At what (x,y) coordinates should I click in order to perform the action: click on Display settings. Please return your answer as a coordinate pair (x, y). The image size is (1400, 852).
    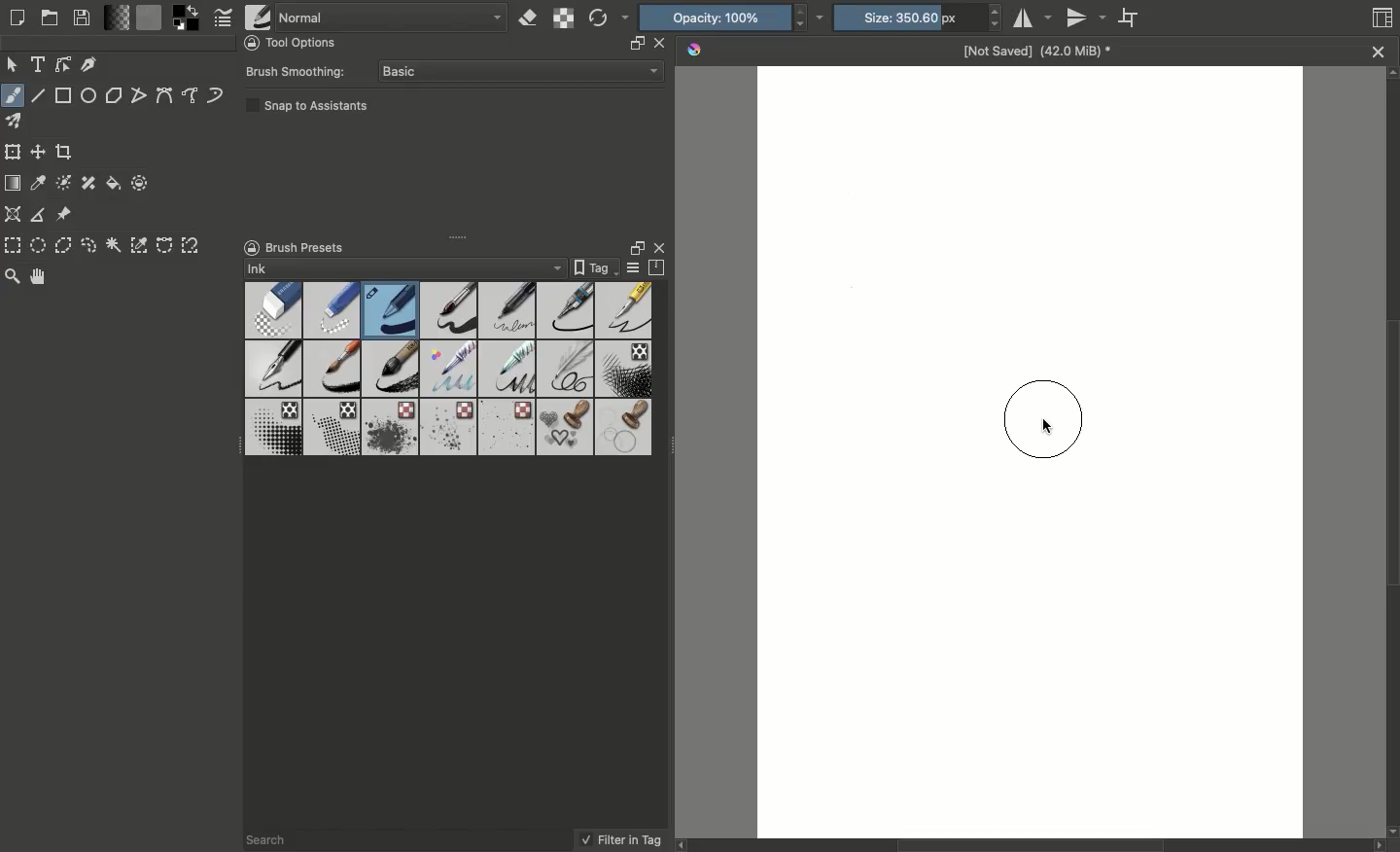
    Looking at the image, I should click on (634, 269).